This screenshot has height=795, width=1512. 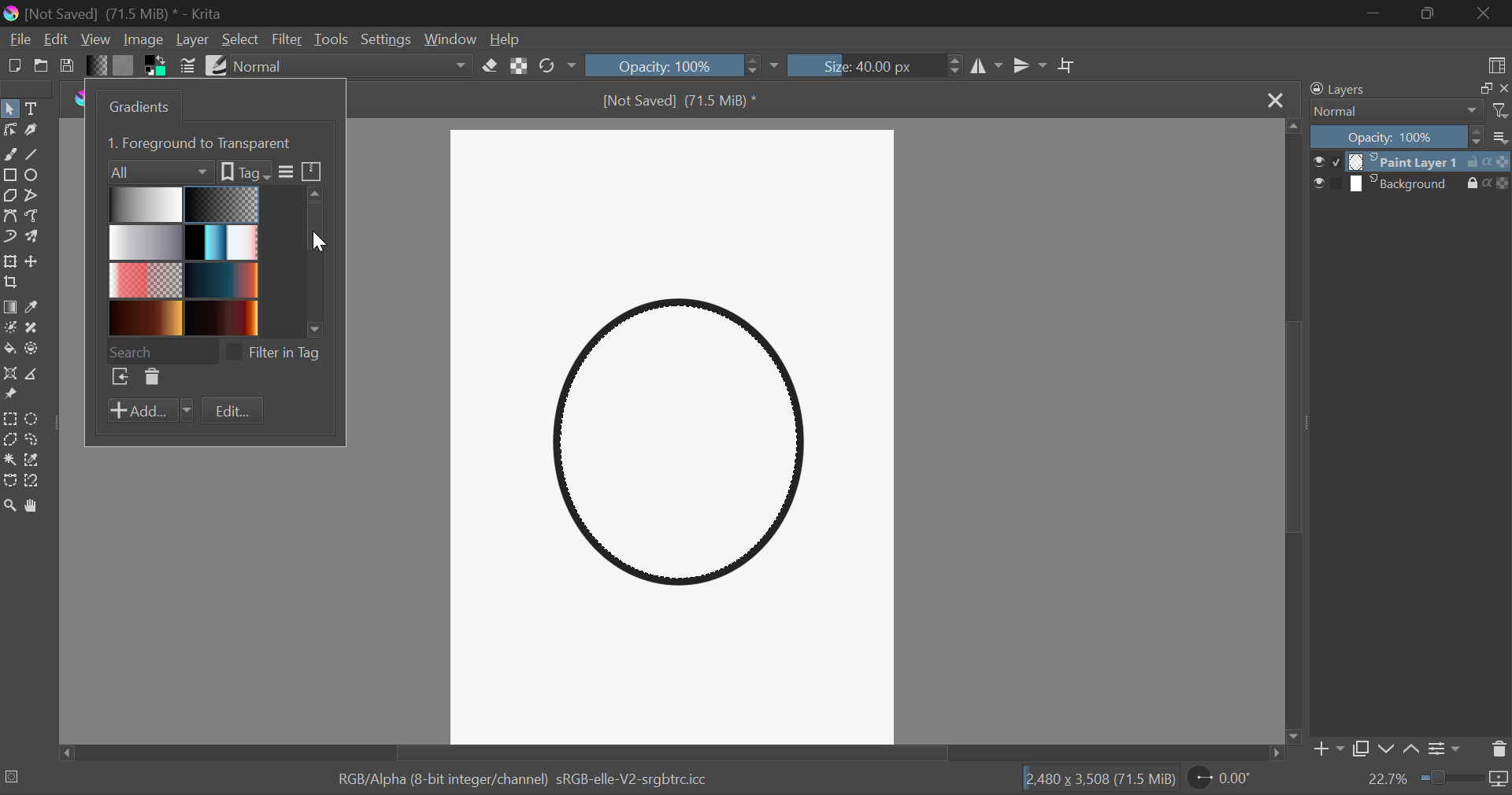 I want to click on Calligraphic Tool, so click(x=34, y=133).